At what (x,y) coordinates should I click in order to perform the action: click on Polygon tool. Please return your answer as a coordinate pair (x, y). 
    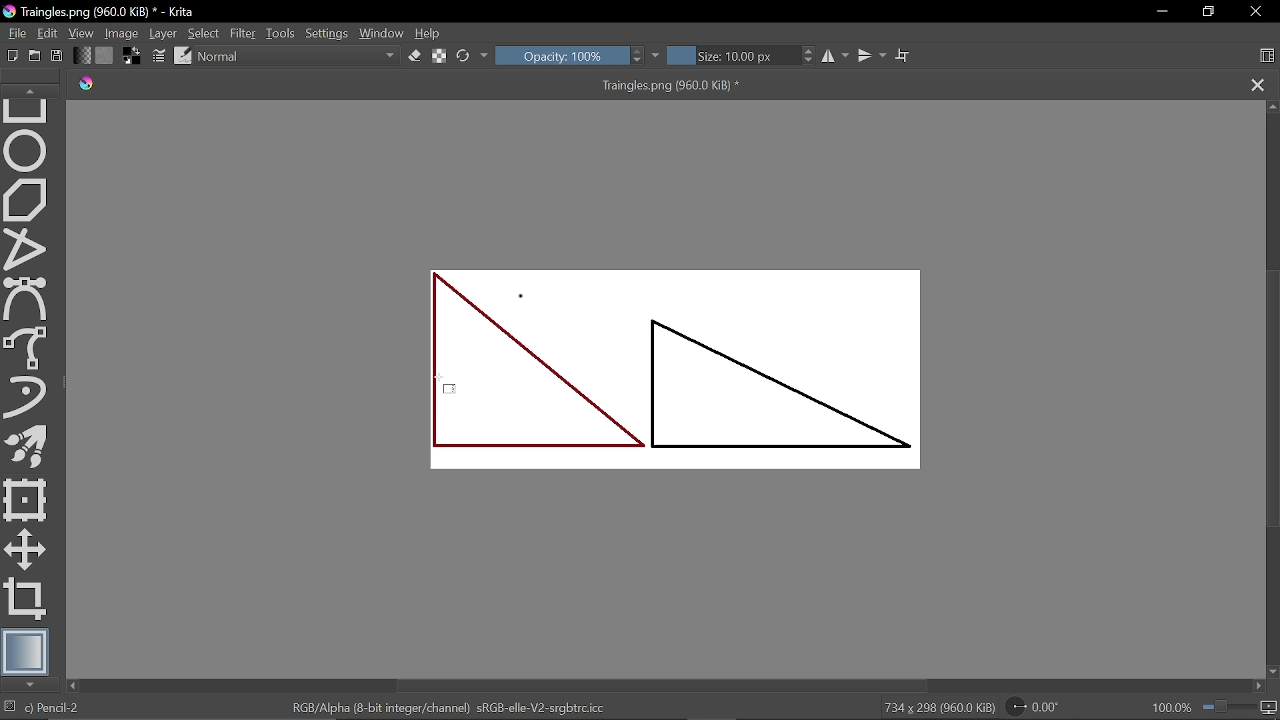
    Looking at the image, I should click on (28, 200).